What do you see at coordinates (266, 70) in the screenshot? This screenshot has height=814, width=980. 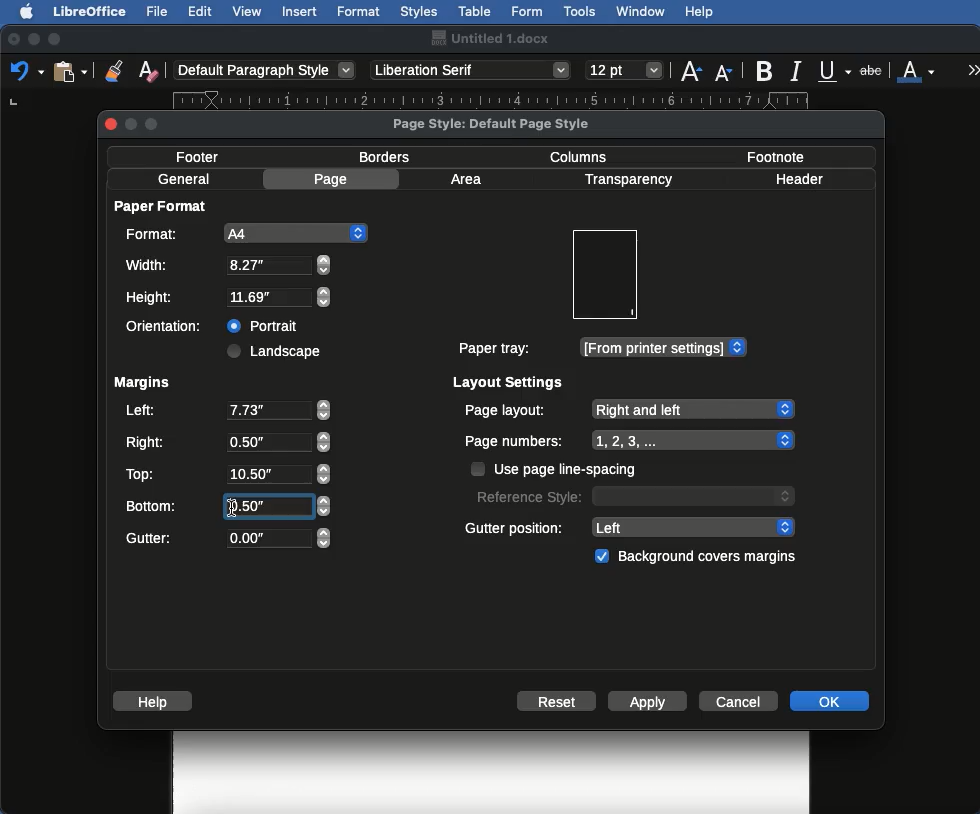 I see `Paragraph style` at bounding box center [266, 70].